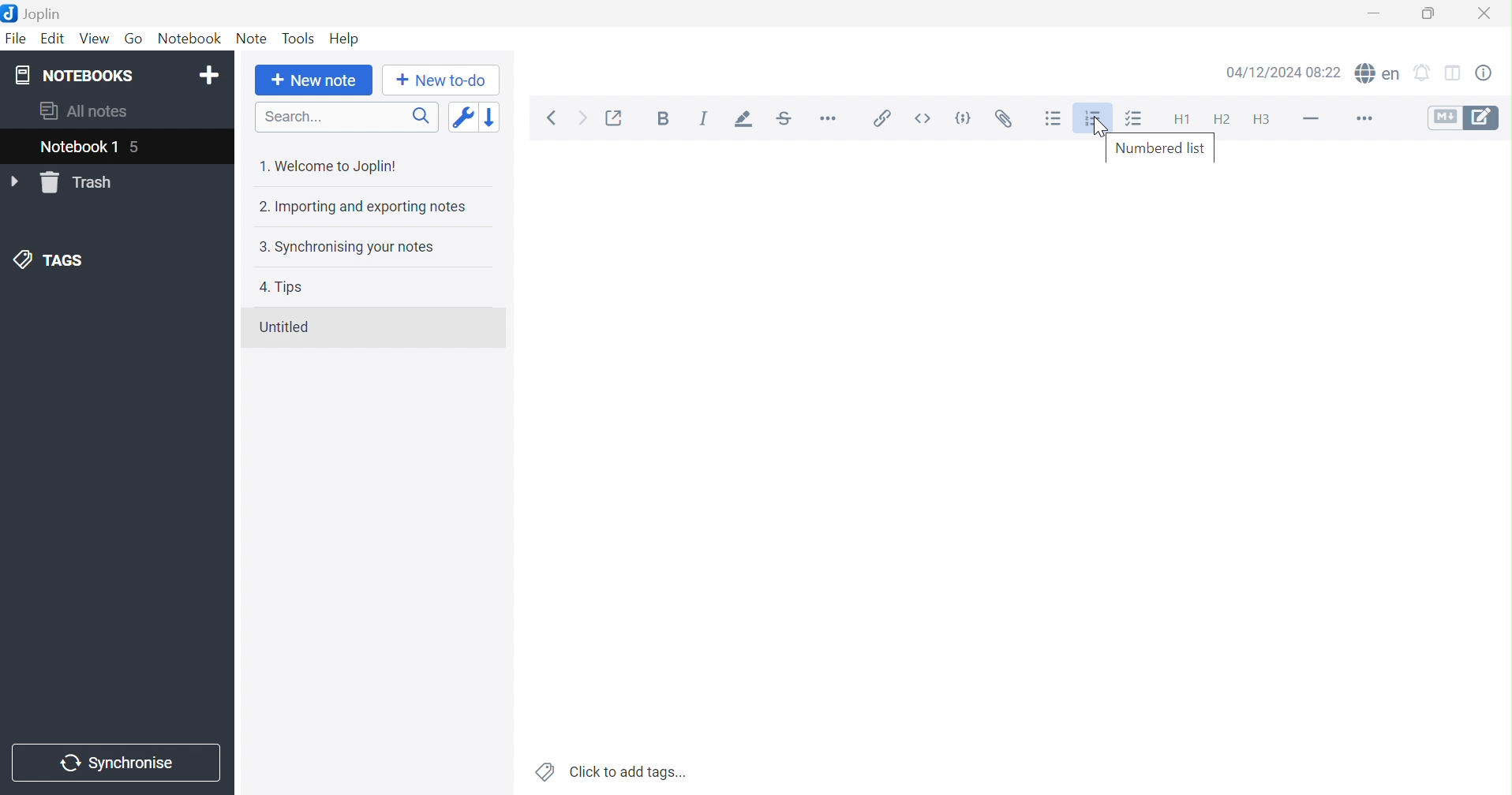 Image resolution: width=1512 pixels, height=795 pixels. What do you see at coordinates (1310, 116) in the screenshot?
I see `Horizontal Line` at bounding box center [1310, 116].